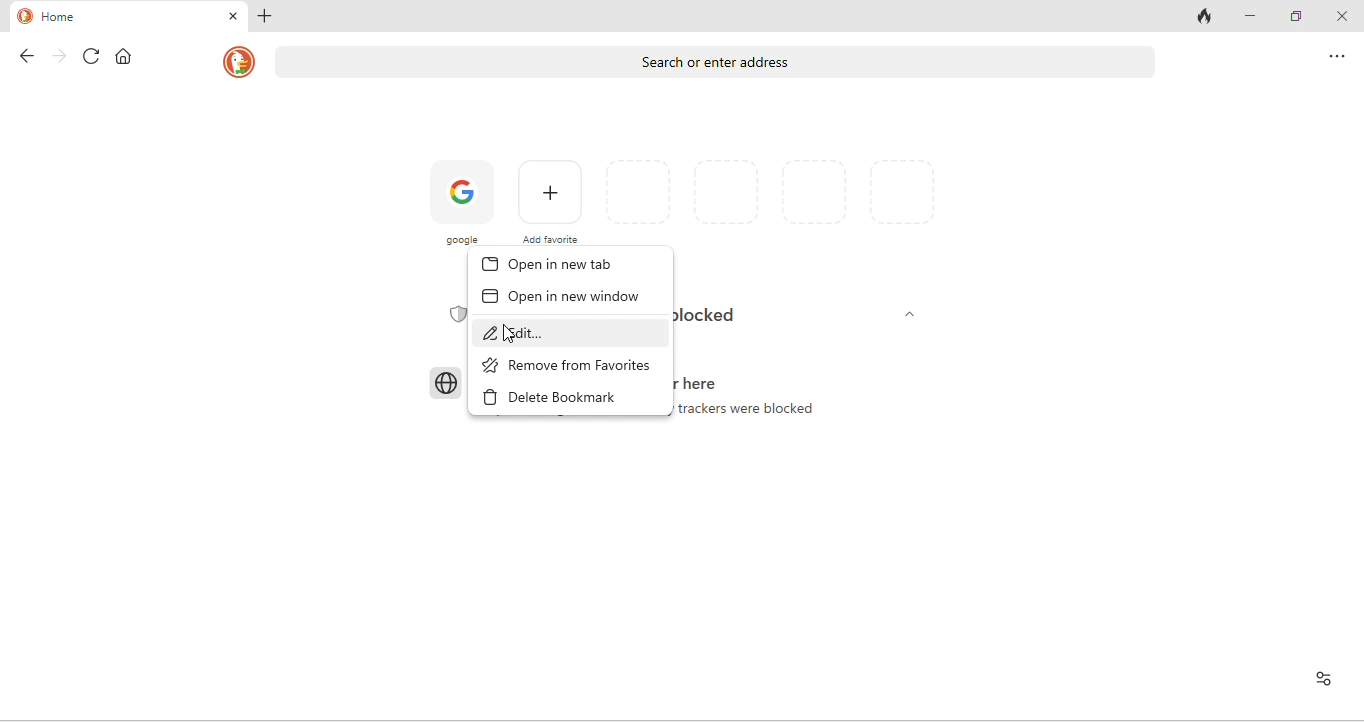  I want to click on Privacy Shield icon, so click(456, 316).